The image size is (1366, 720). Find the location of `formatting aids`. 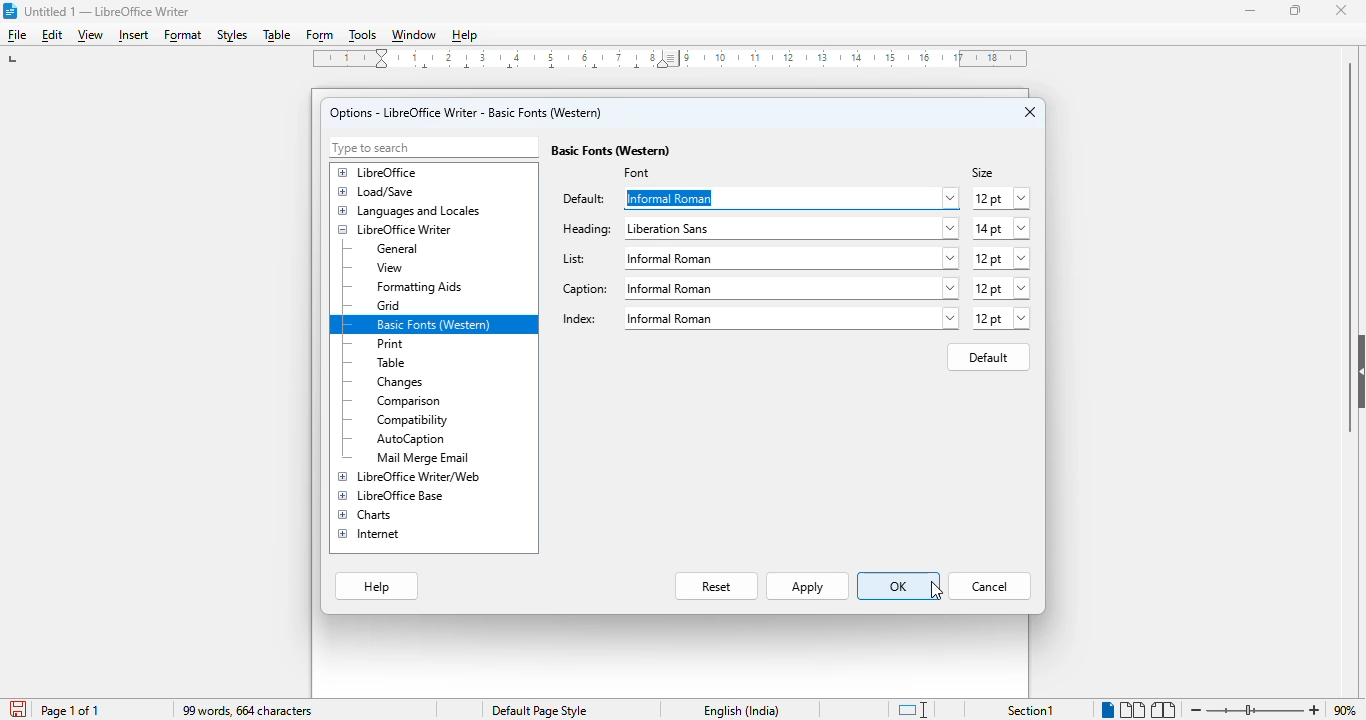

formatting aids is located at coordinates (419, 287).